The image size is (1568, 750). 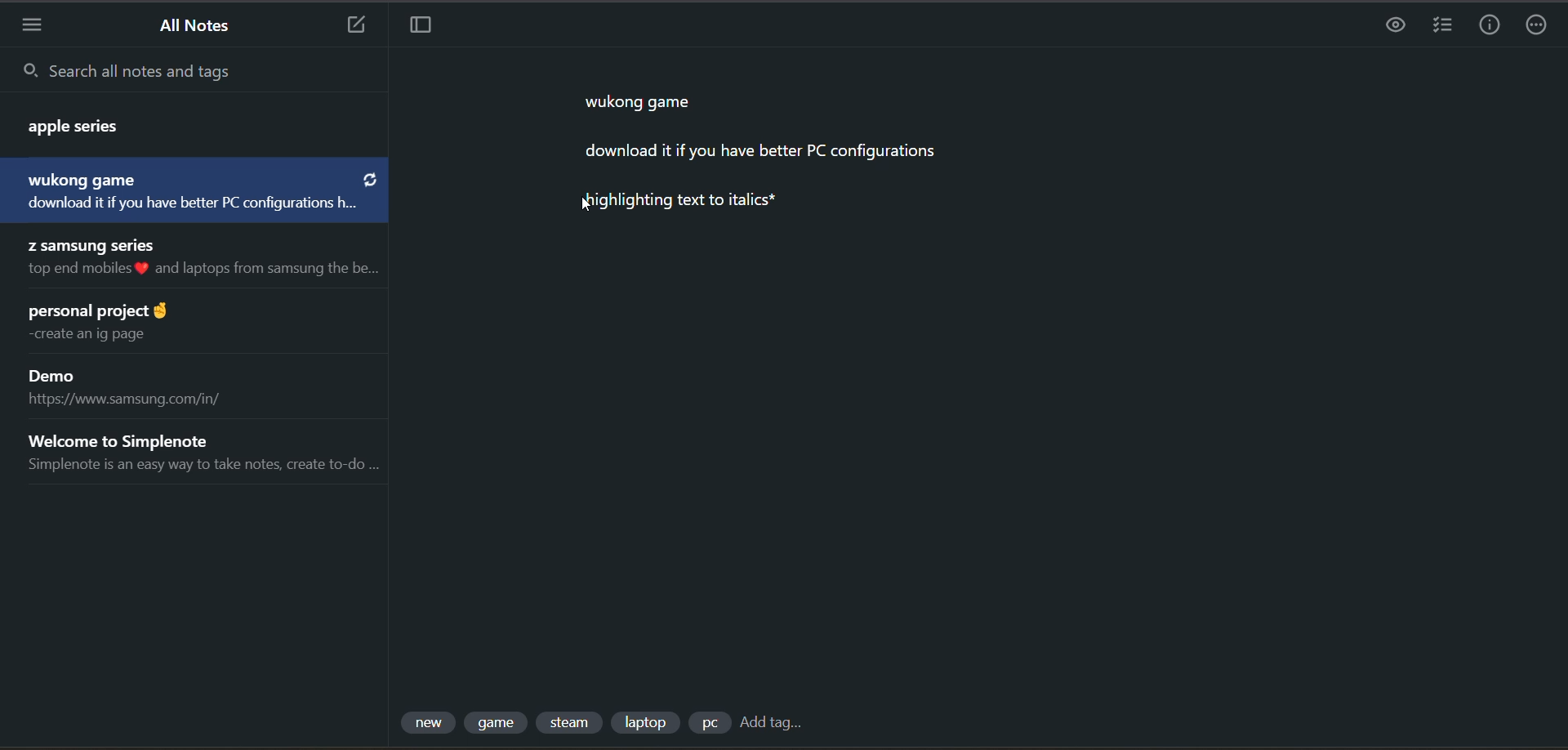 I want to click on menu, so click(x=32, y=24).